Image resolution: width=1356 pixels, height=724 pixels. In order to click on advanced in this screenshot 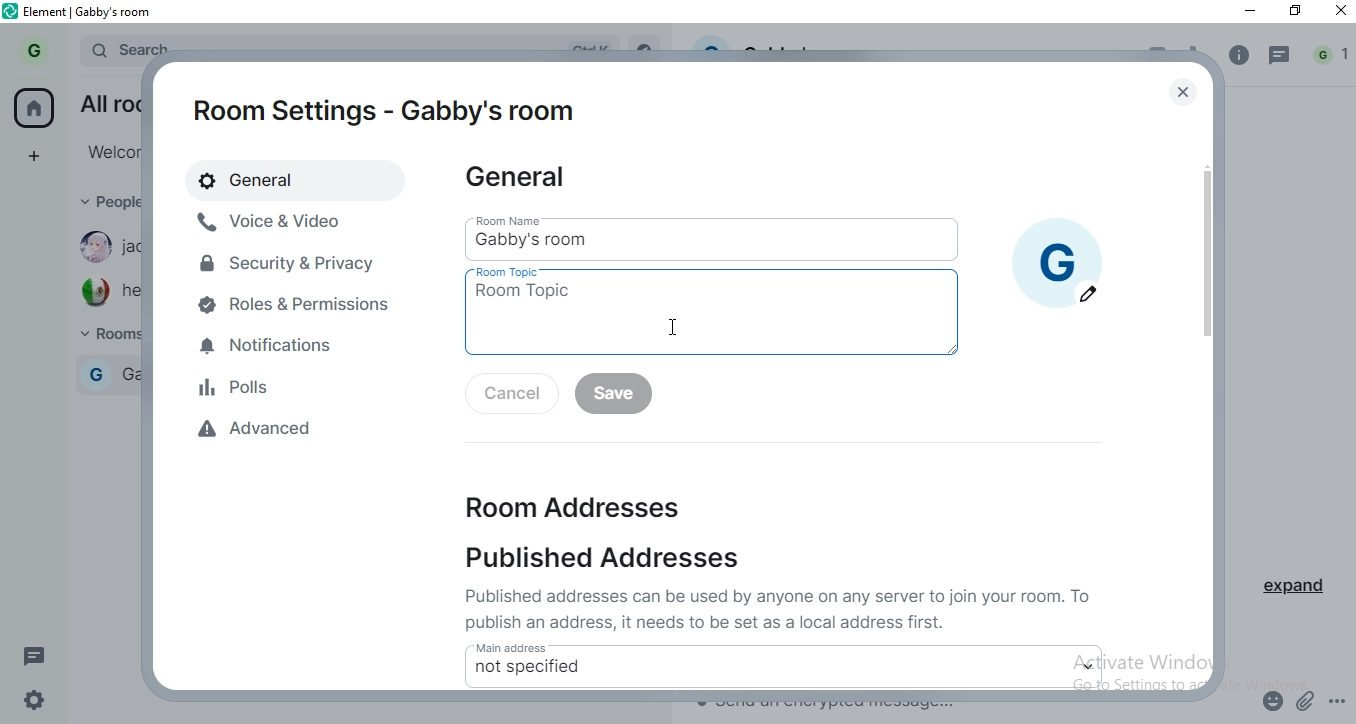, I will do `click(317, 432)`.